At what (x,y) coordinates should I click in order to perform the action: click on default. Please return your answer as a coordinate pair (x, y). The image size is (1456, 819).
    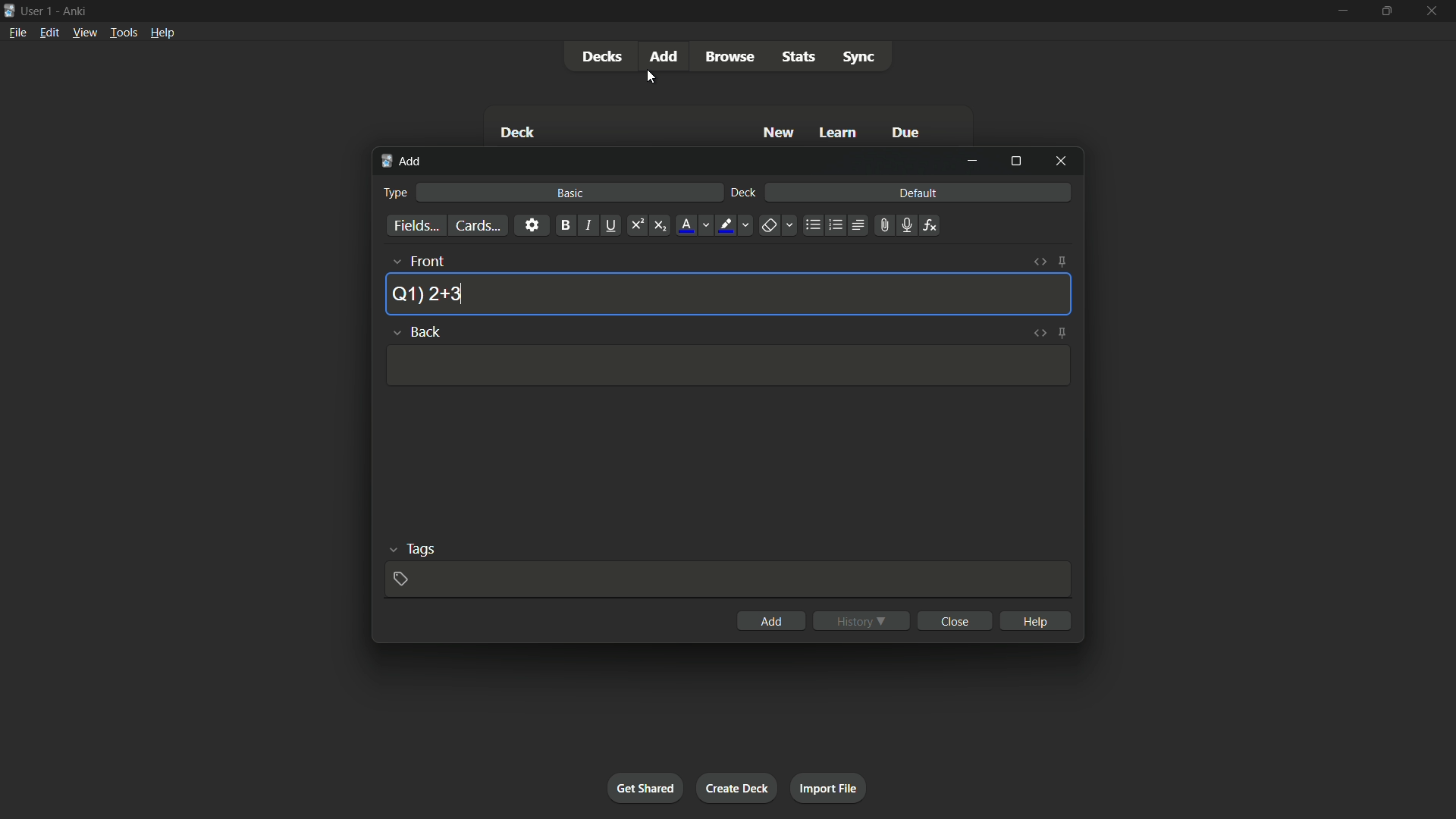
    Looking at the image, I should click on (918, 192).